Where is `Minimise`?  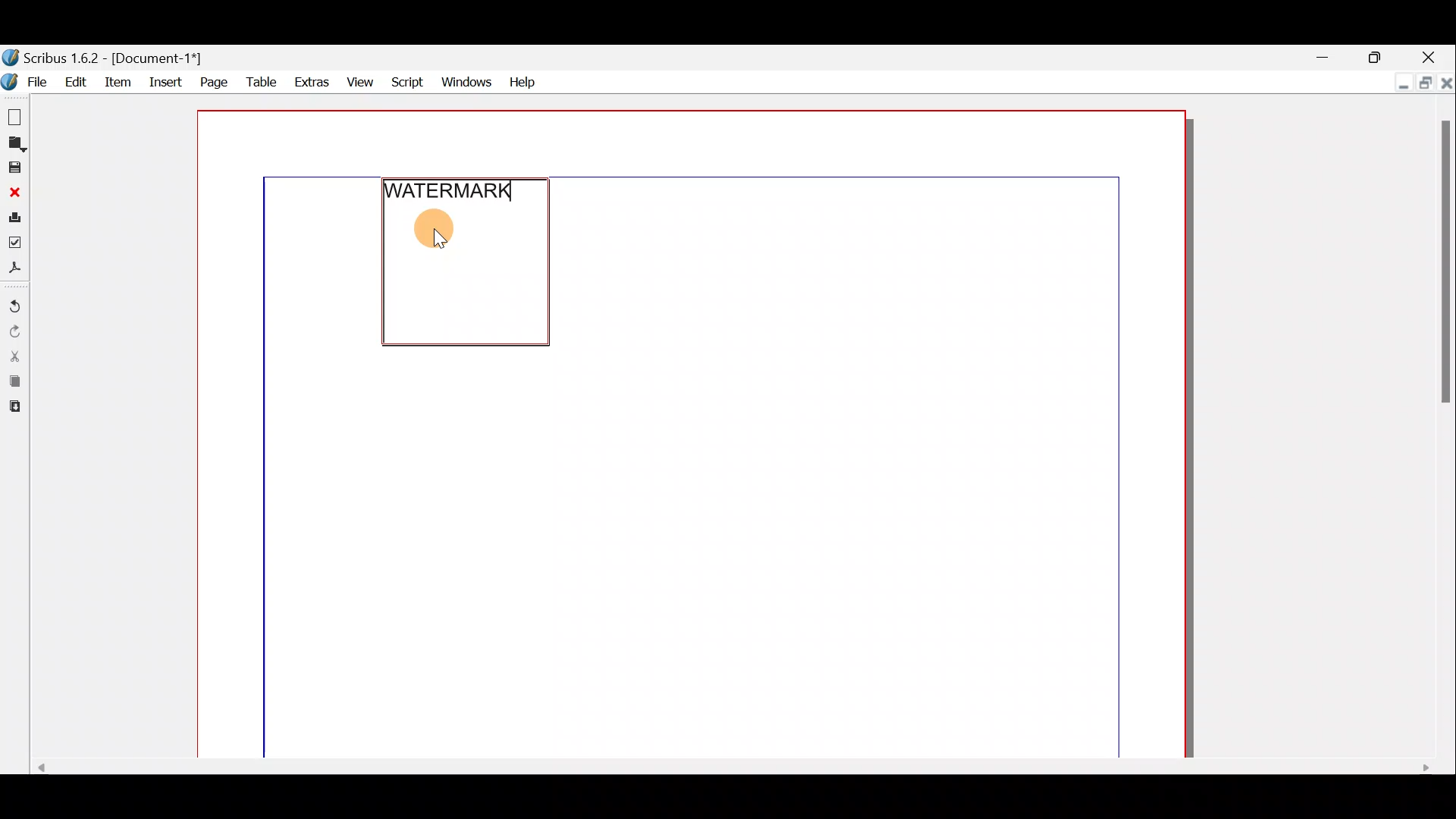
Minimise is located at coordinates (1326, 55).